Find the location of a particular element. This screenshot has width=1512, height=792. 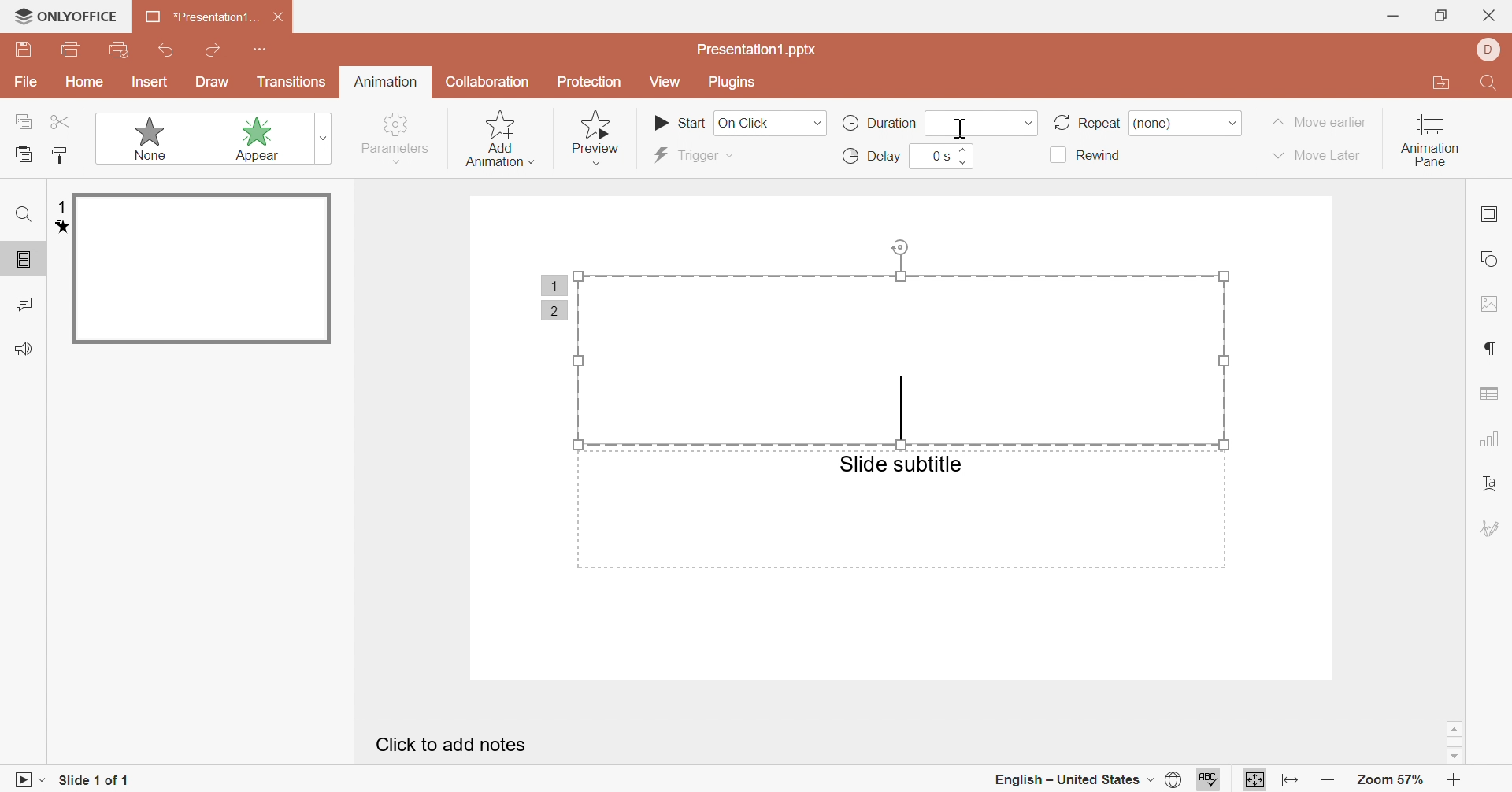

close is located at coordinates (280, 16).